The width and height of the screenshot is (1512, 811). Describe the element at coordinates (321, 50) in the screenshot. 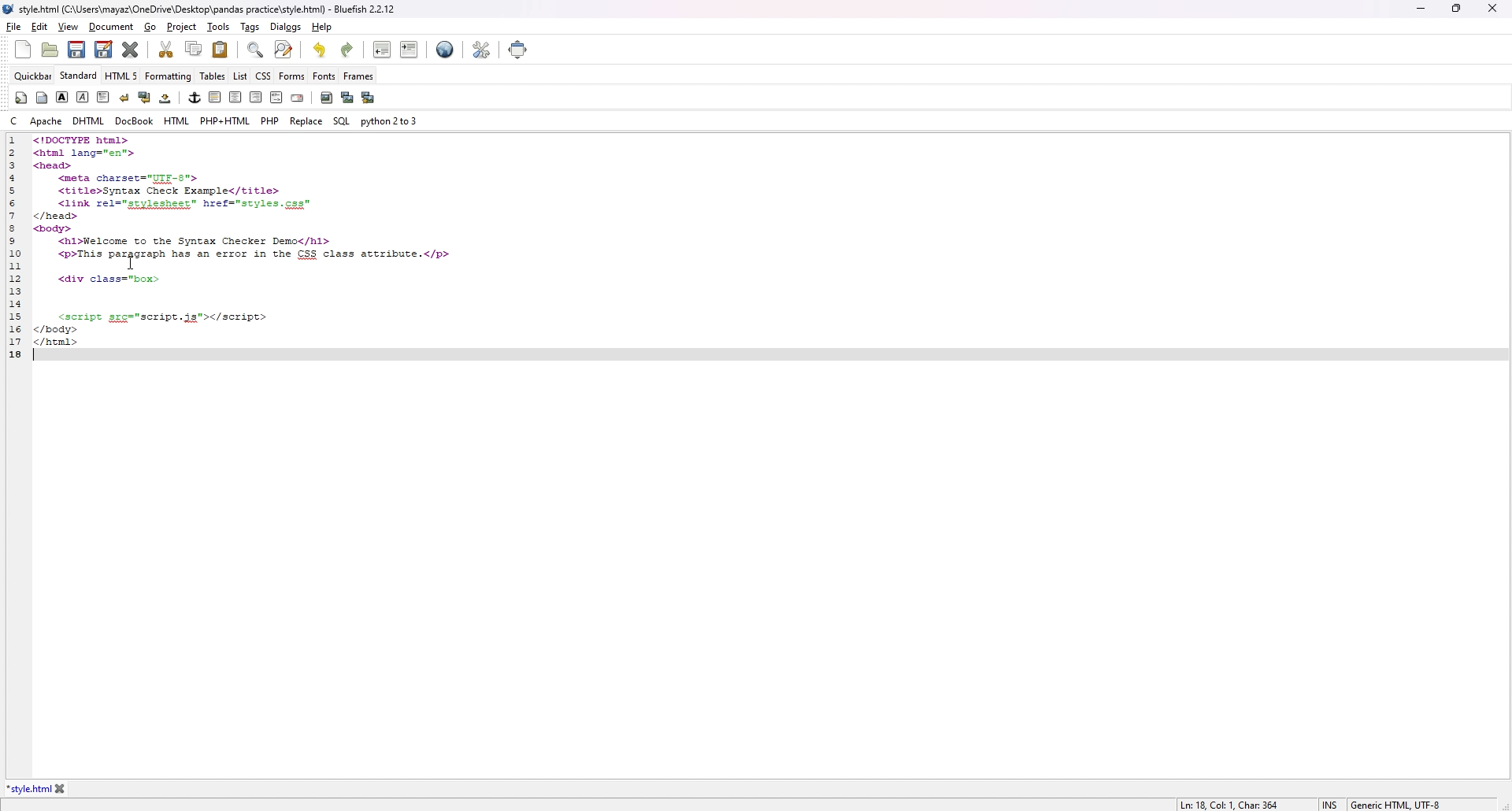

I see `undo` at that location.